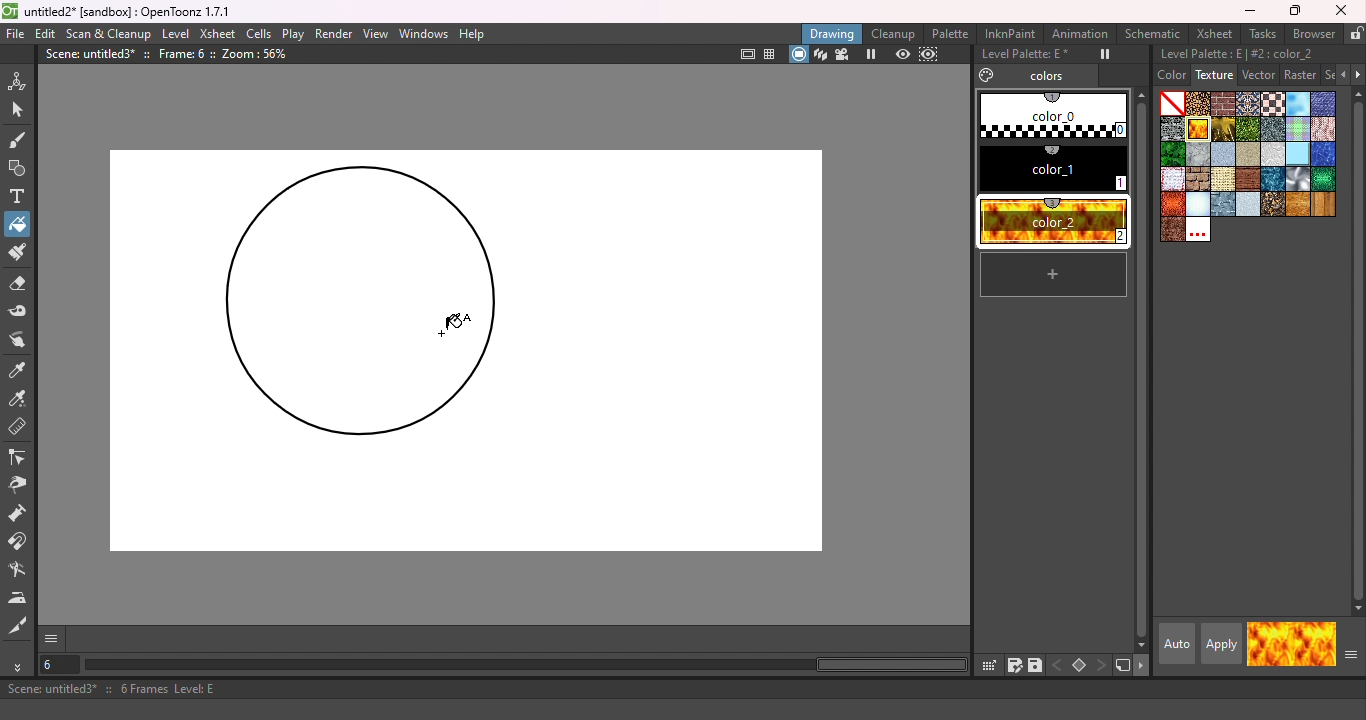  Describe the element at coordinates (1323, 154) in the screenshot. I see `pool.bmp` at that location.